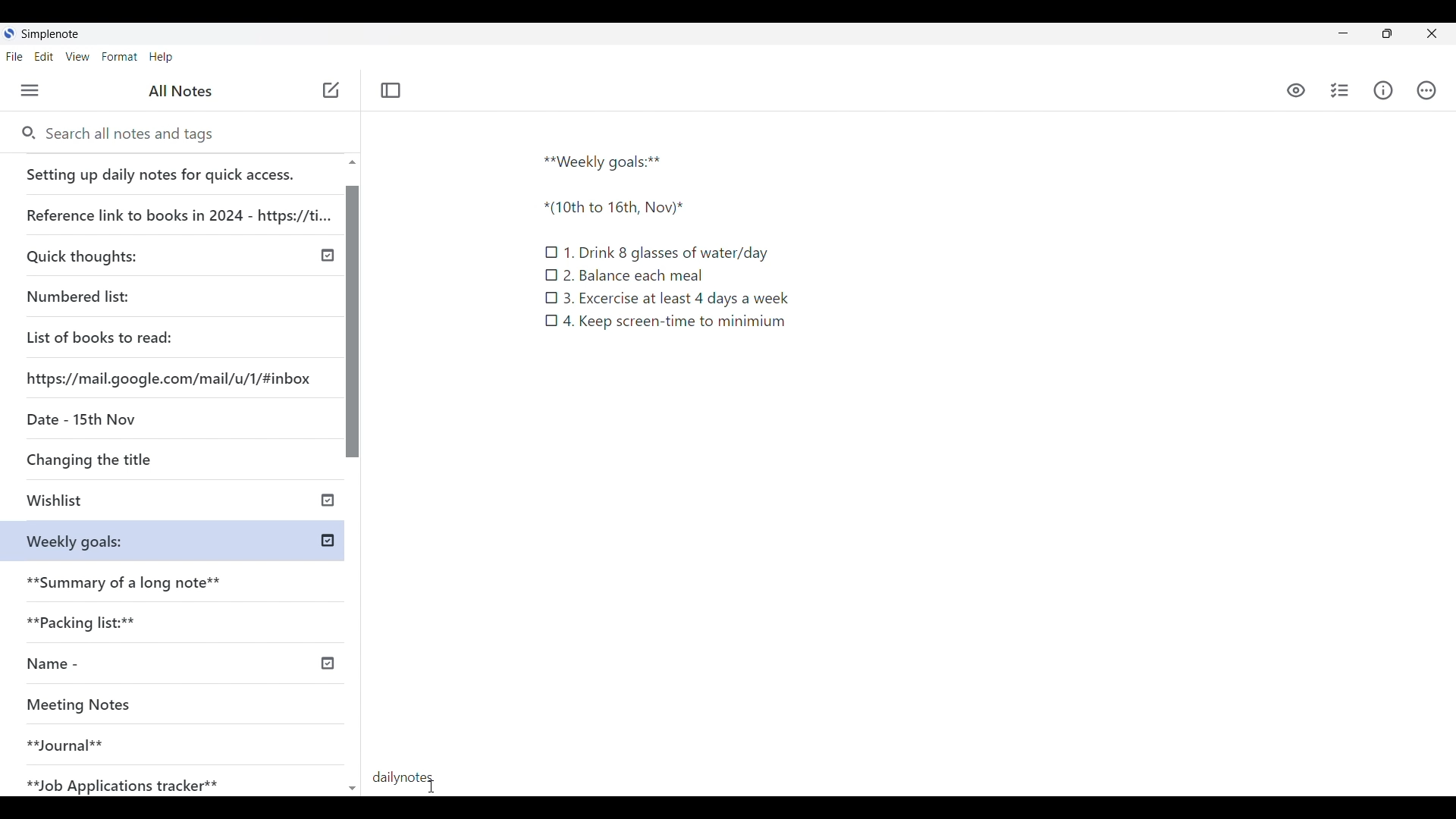 This screenshot has height=819, width=1456. Describe the element at coordinates (1432, 33) in the screenshot. I see `Close ` at that location.